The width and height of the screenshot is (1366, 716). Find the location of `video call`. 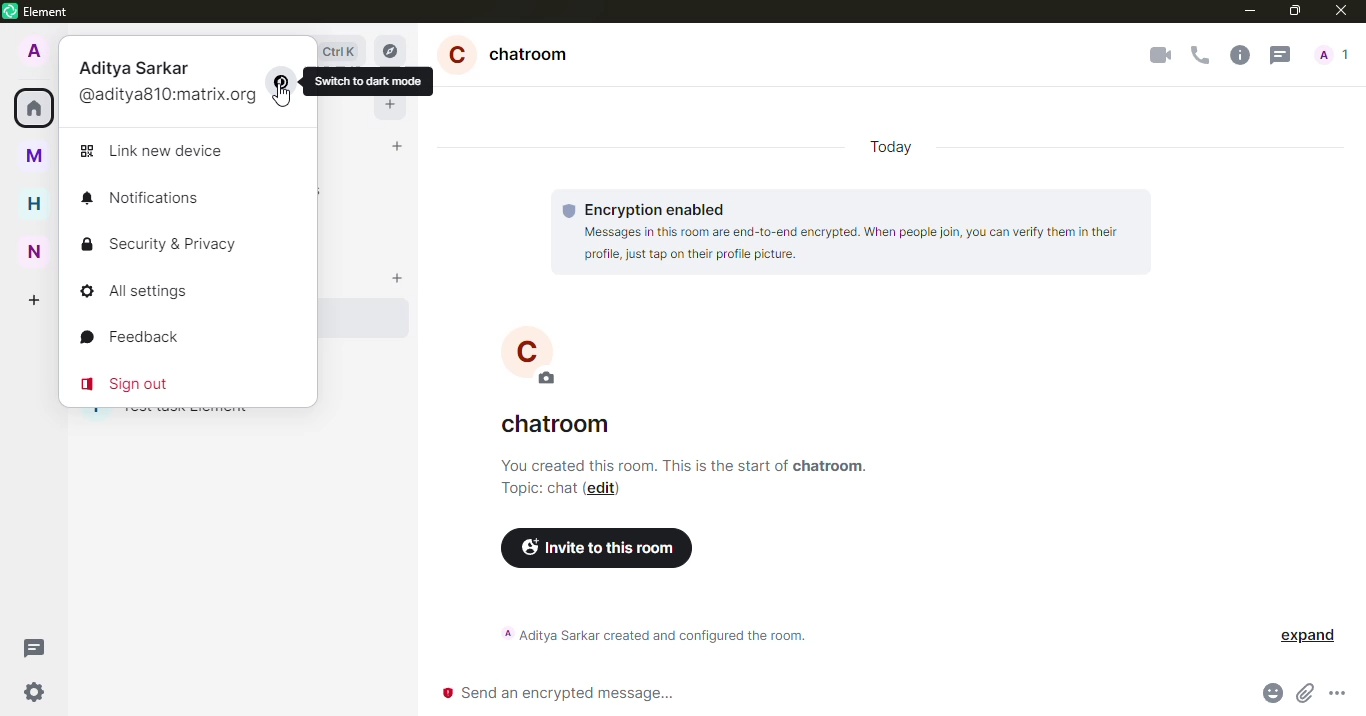

video call is located at coordinates (1158, 54).